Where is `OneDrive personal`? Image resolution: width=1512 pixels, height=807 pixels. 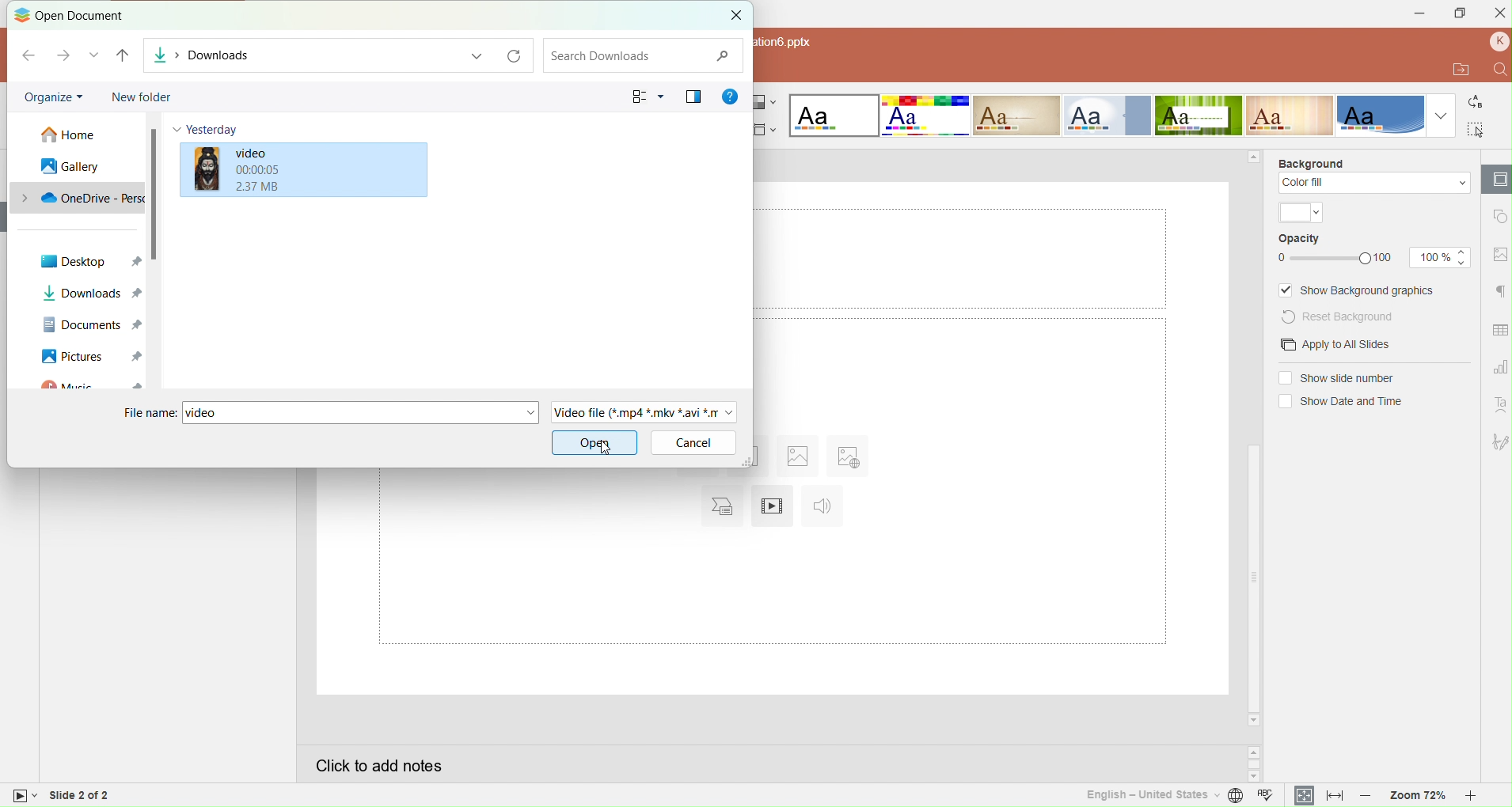 OneDrive personal is located at coordinates (78, 198).